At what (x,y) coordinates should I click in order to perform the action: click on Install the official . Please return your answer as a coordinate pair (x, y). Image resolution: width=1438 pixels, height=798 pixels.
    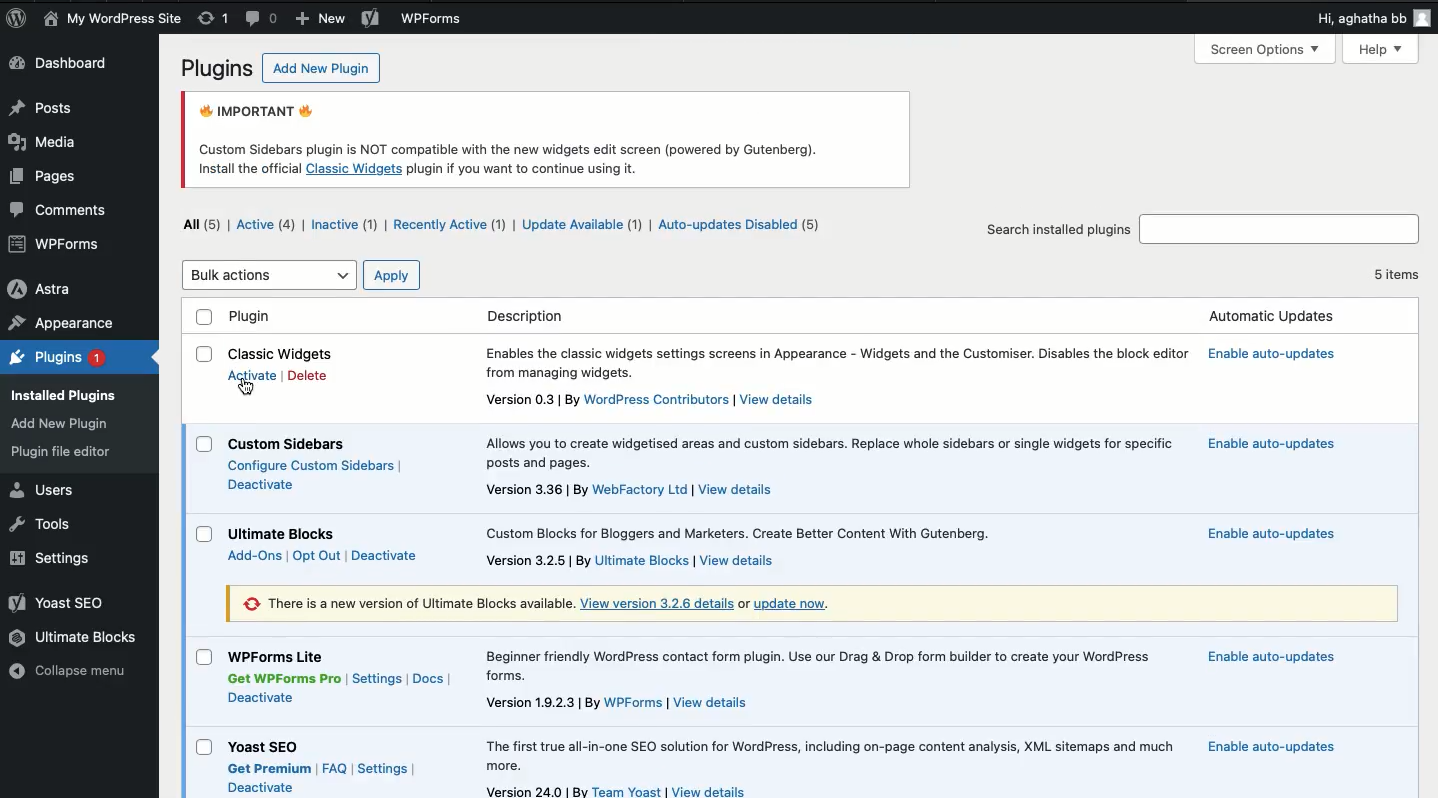
    Looking at the image, I should click on (247, 168).